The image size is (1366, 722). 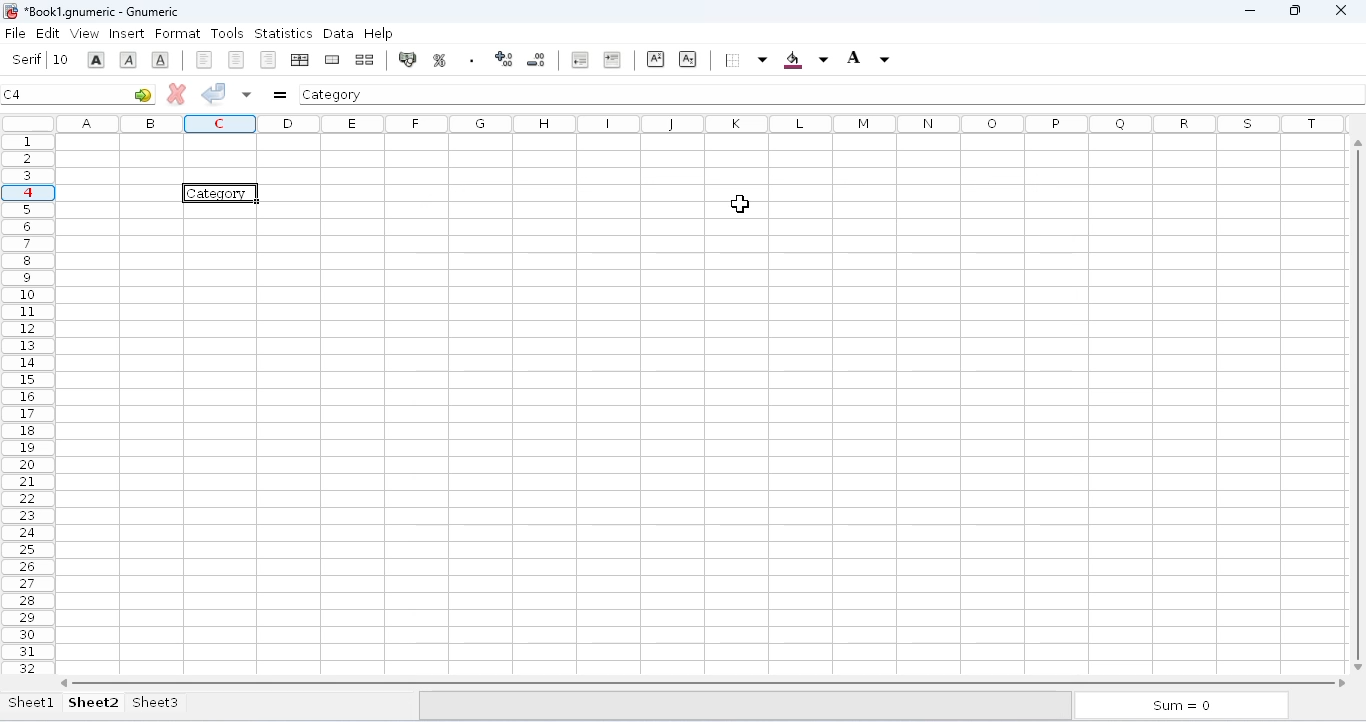 I want to click on rows, so click(x=28, y=404).